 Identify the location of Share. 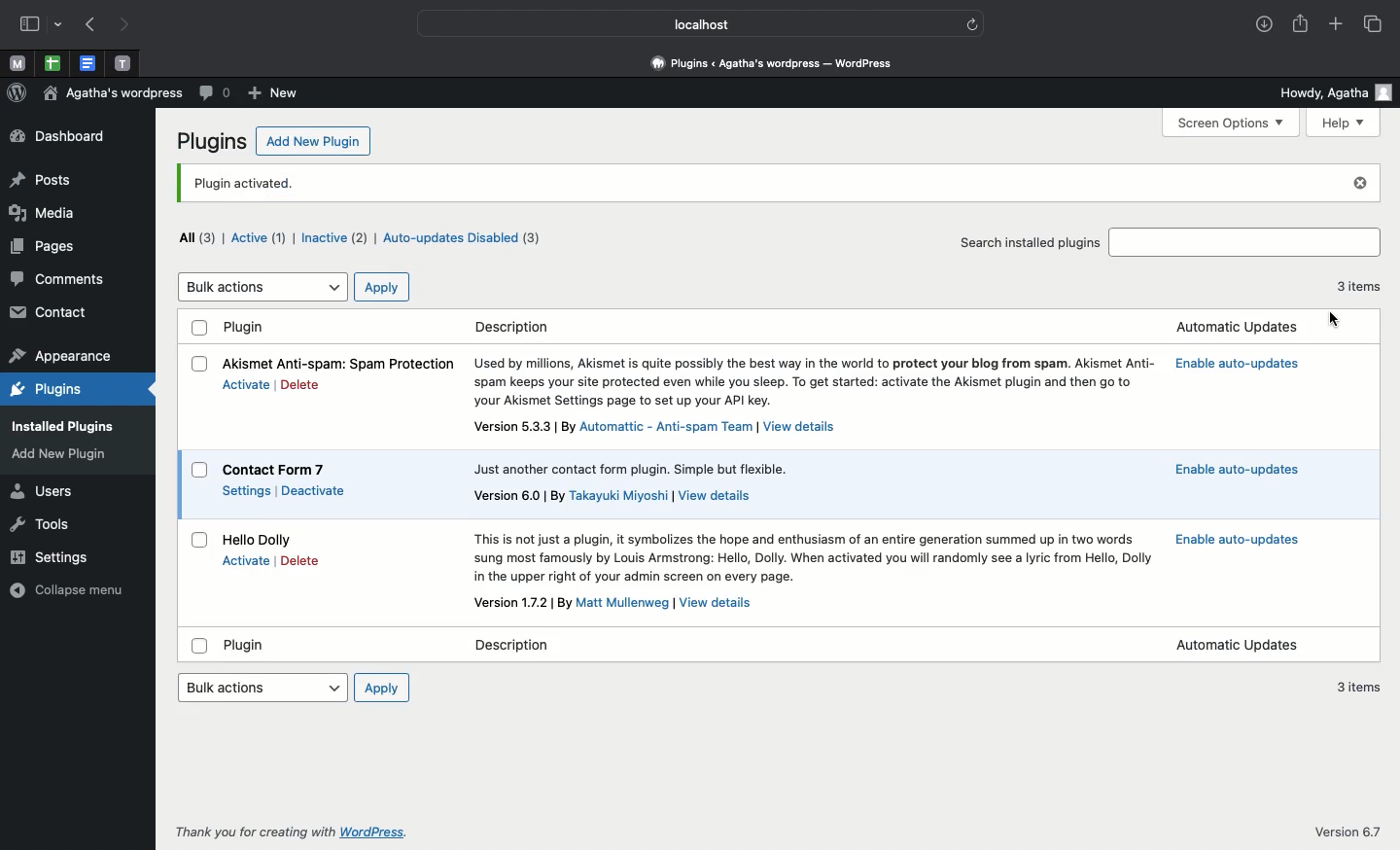
(1302, 25).